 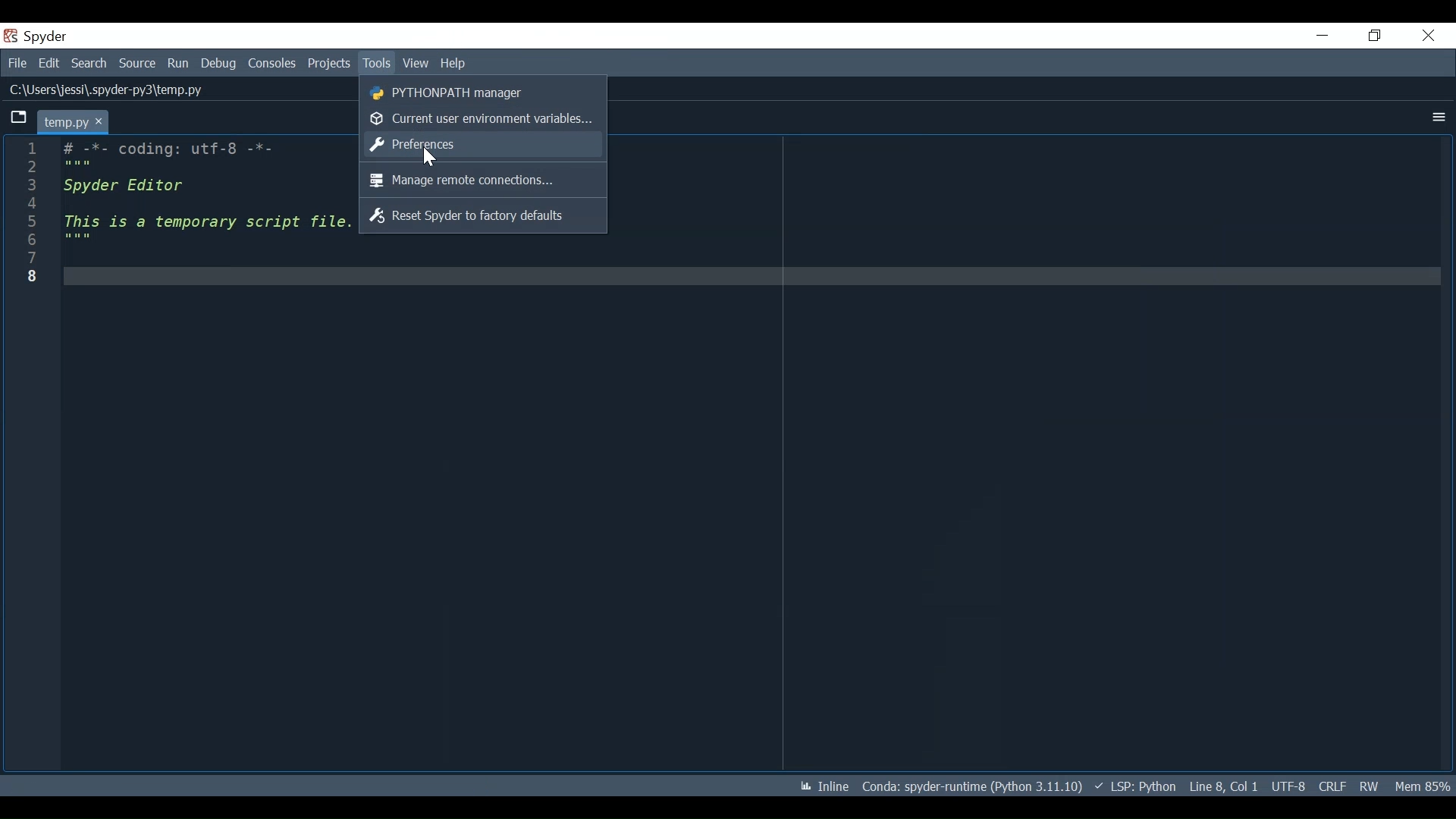 What do you see at coordinates (37, 36) in the screenshot?
I see `Spyder Desktop Icon` at bounding box center [37, 36].